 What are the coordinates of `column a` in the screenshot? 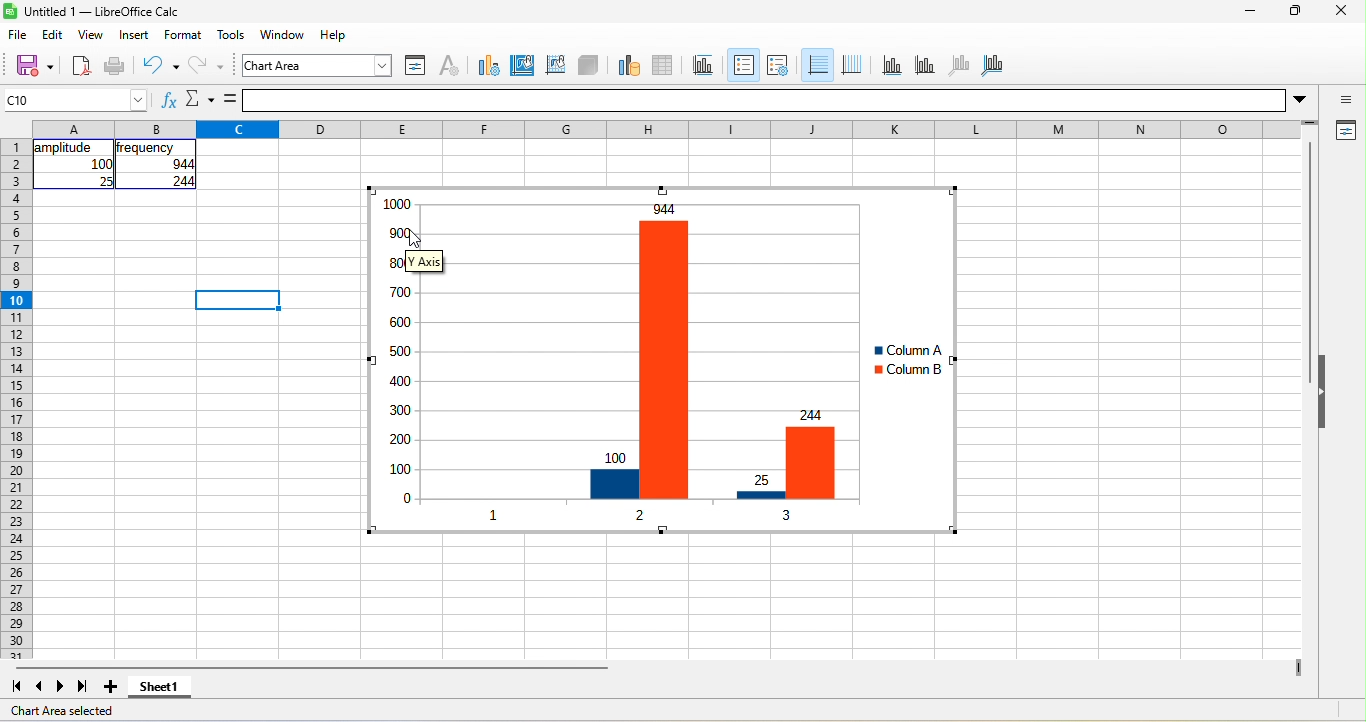 It's located at (903, 351).